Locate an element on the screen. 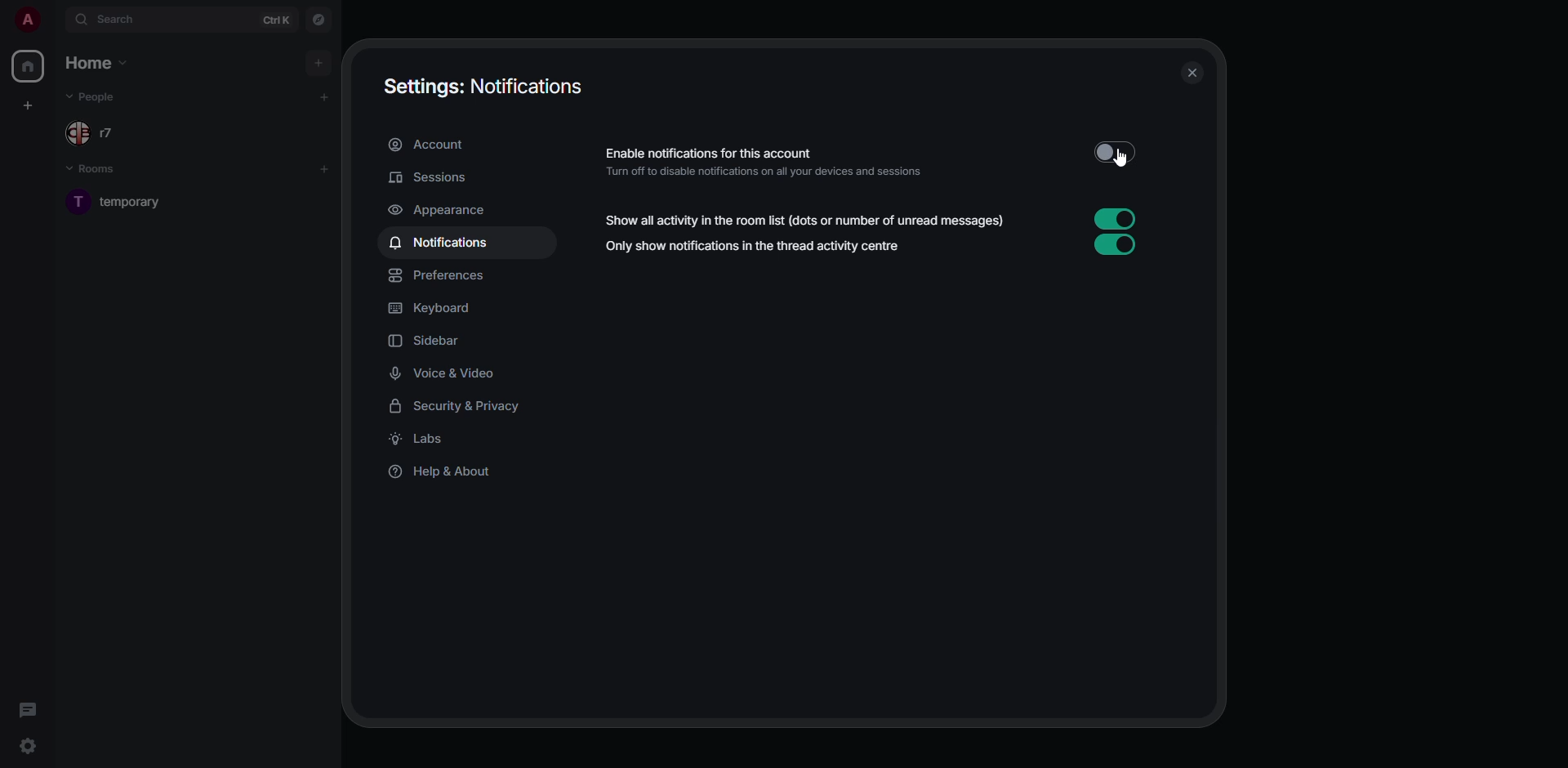  labs is located at coordinates (419, 440).